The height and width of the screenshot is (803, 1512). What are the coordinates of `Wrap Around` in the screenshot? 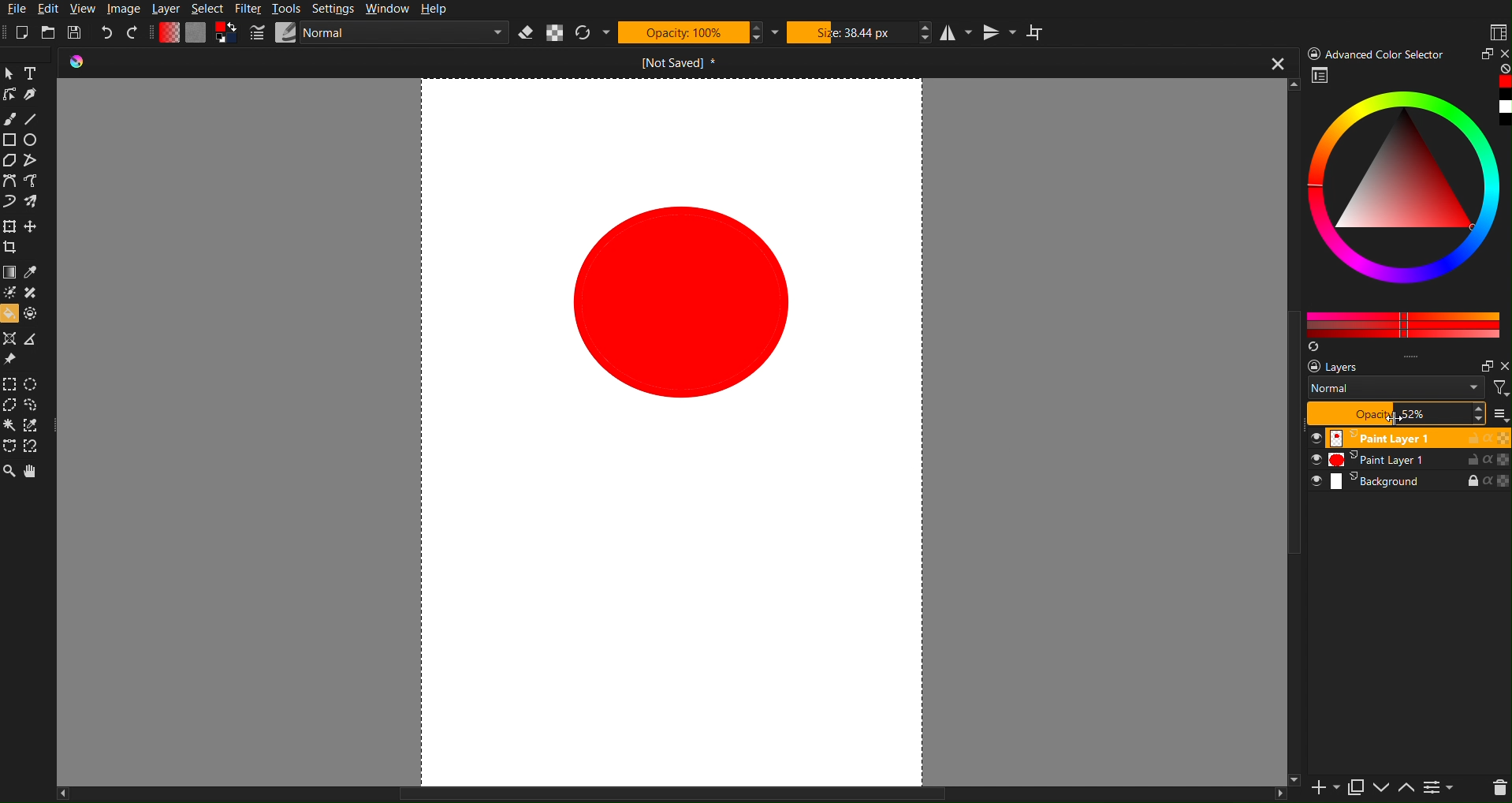 It's located at (1037, 35).